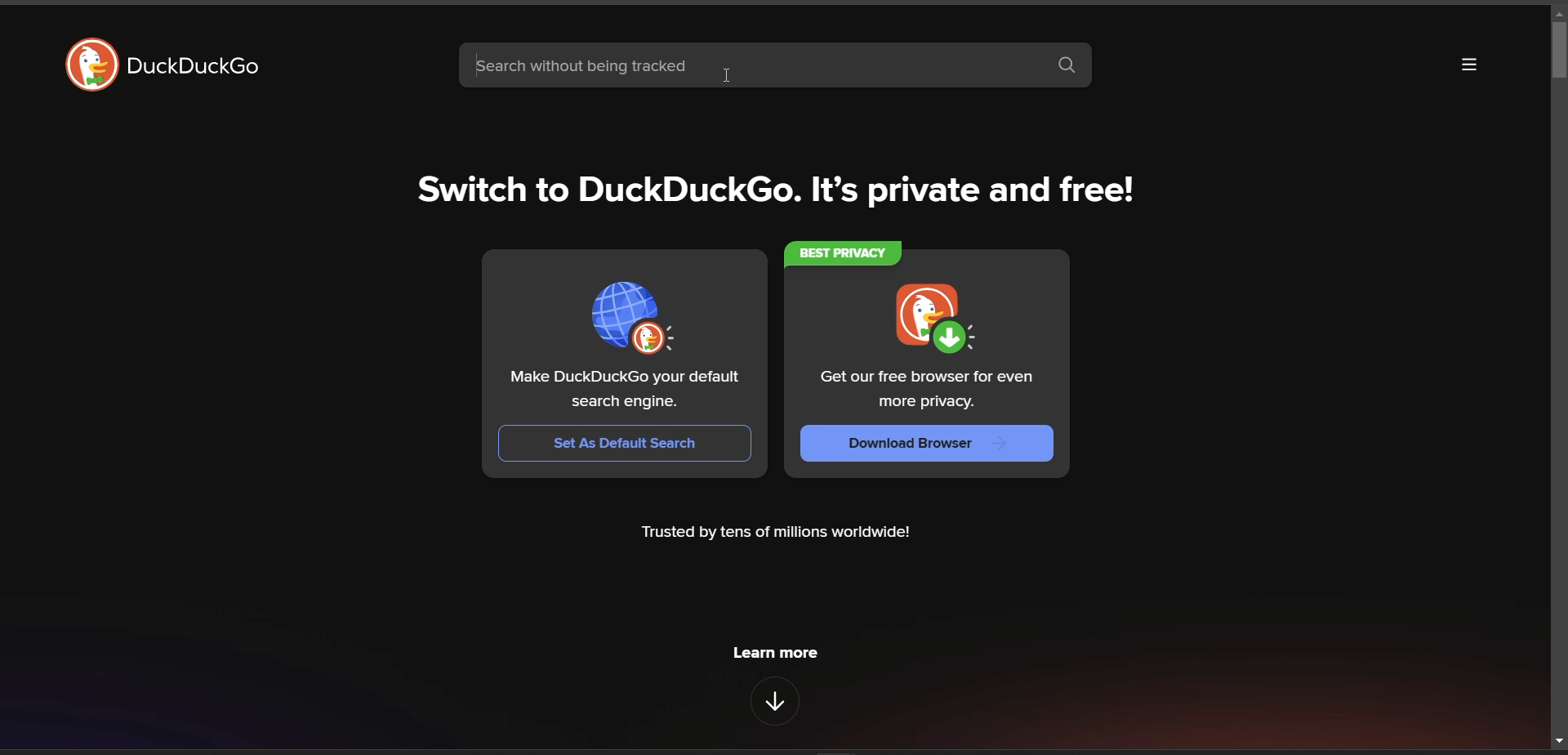 The height and width of the screenshot is (755, 1568). What do you see at coordinates (752, 65) in the screenshot?
I see `search bar` at bounding box center [752, 65].